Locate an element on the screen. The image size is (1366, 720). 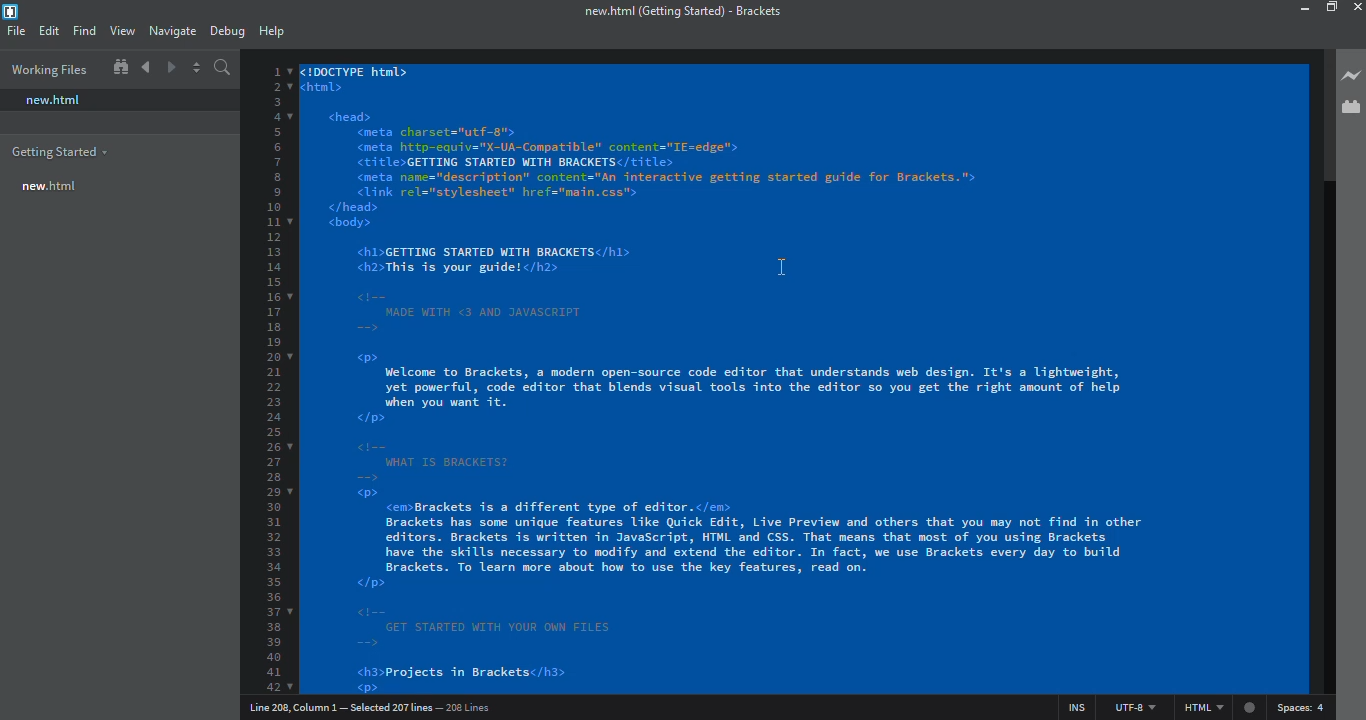
minimize is located at coordinates (1286, 9).